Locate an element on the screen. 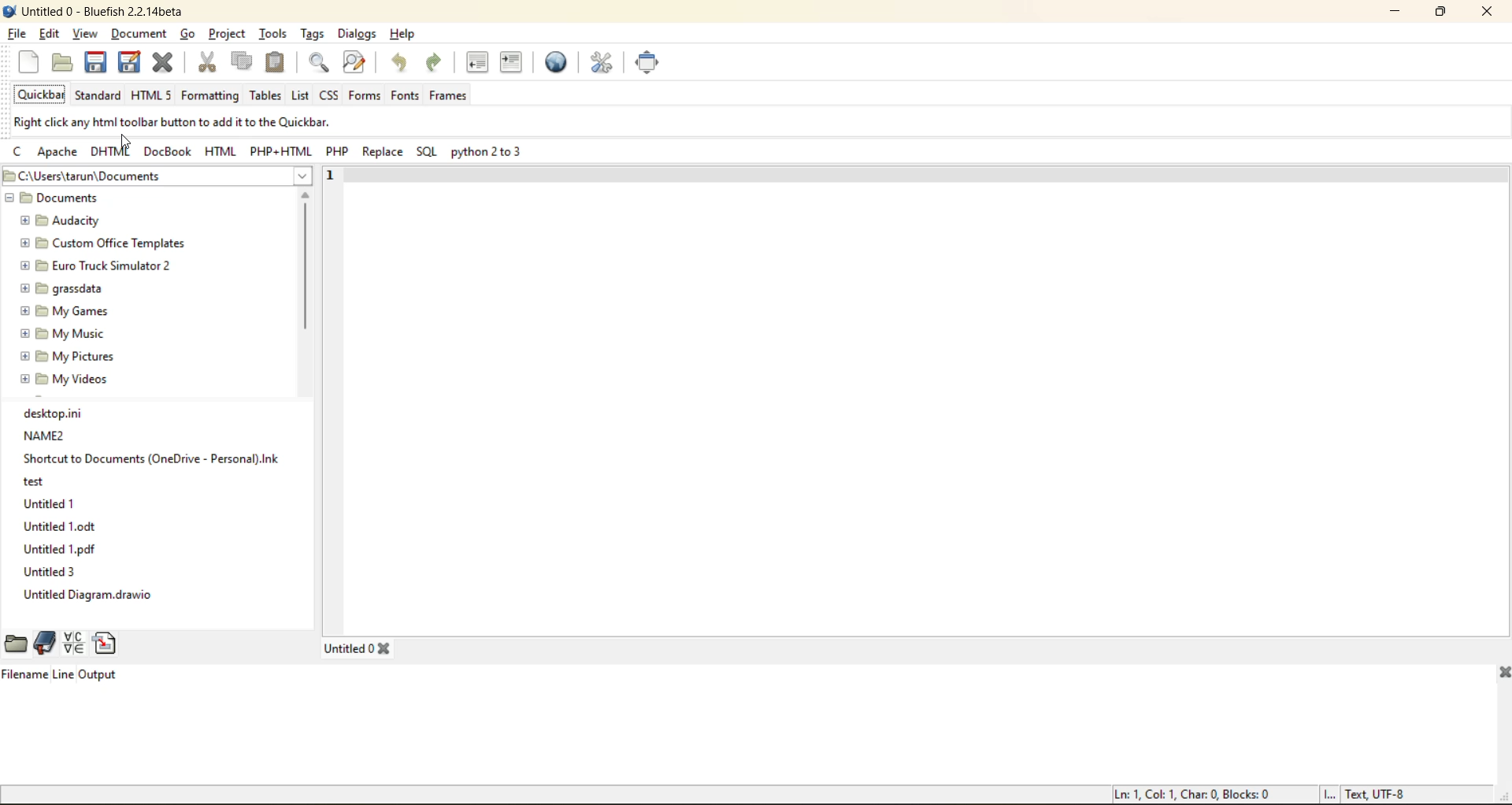 The width and height of the screenshot is (1512, 805). frames is located at coordinates (452, 93).